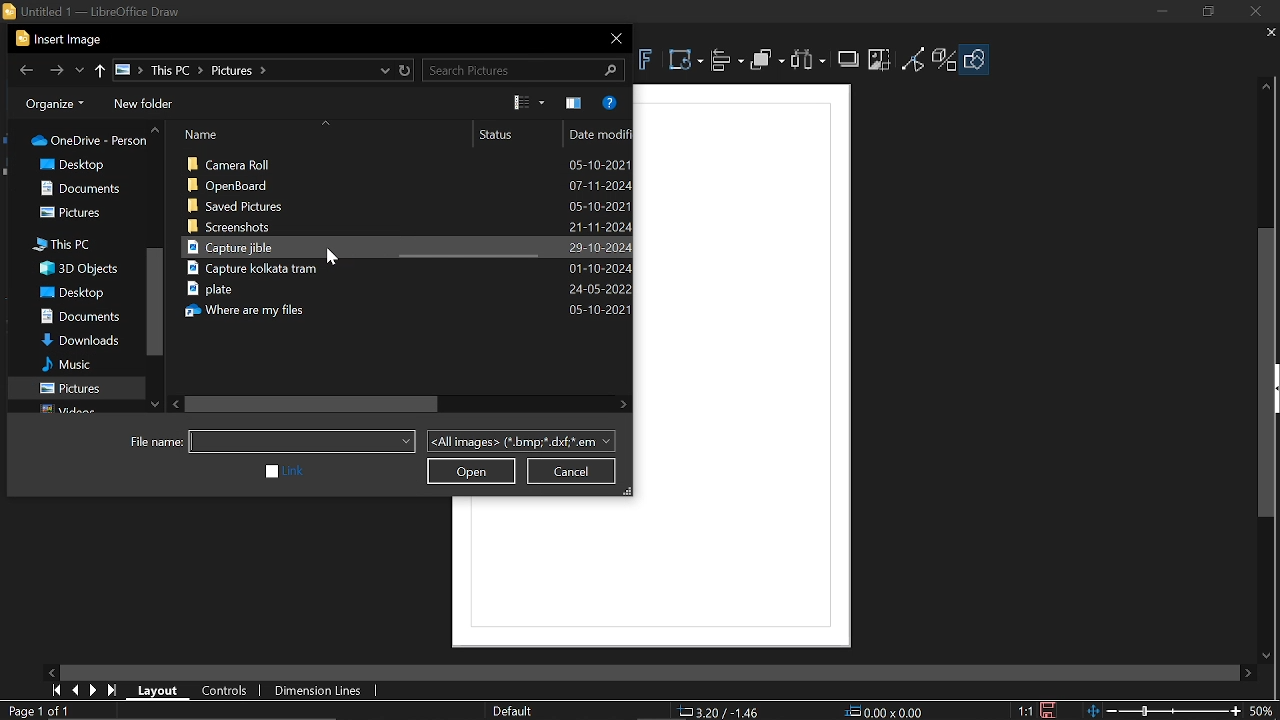 This screenshot has height=720, width=1280. I want to click on Status, so click(492, 130).